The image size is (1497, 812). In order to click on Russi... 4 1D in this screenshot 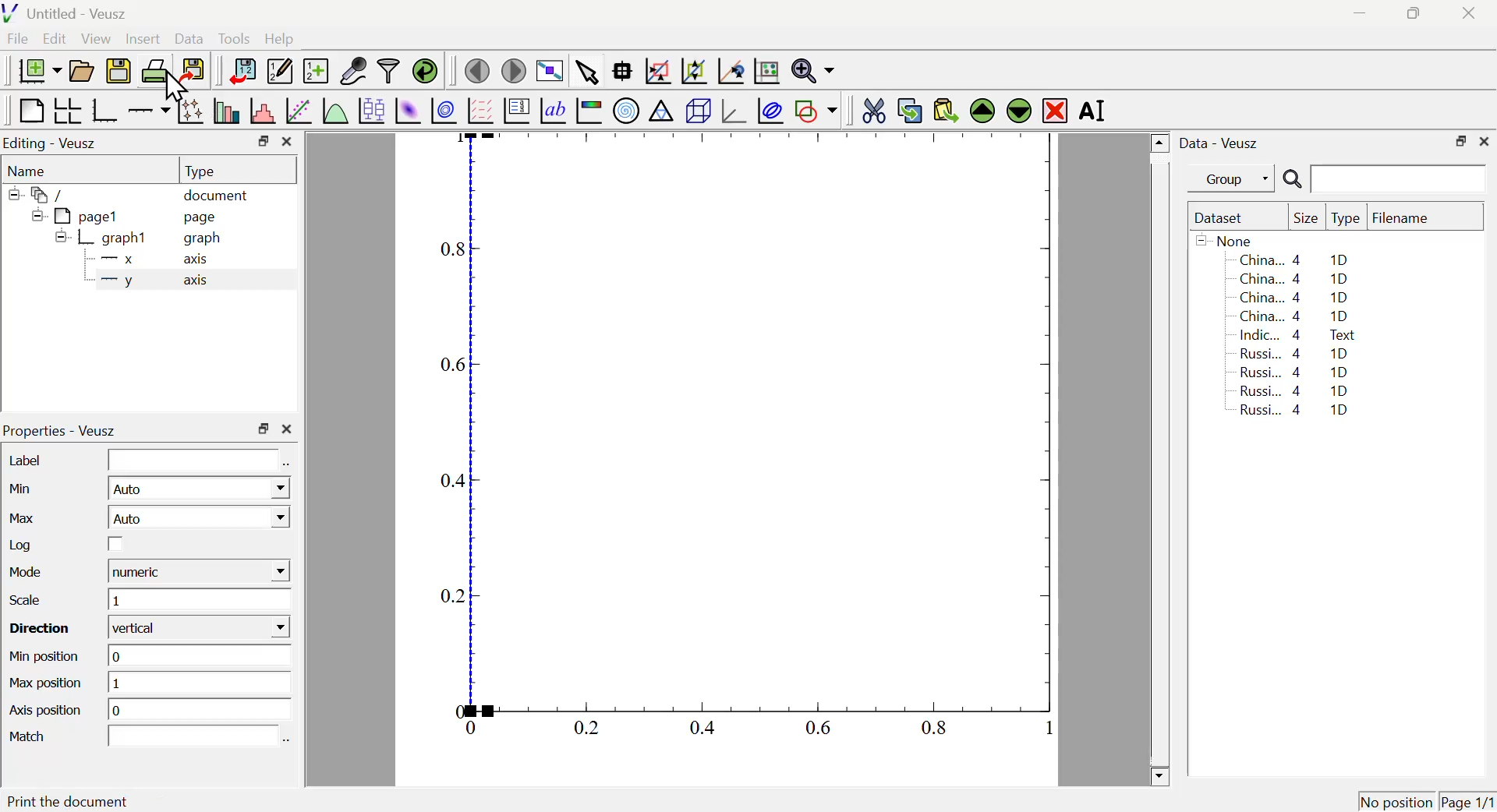, I will do `click(1294, 372)`.